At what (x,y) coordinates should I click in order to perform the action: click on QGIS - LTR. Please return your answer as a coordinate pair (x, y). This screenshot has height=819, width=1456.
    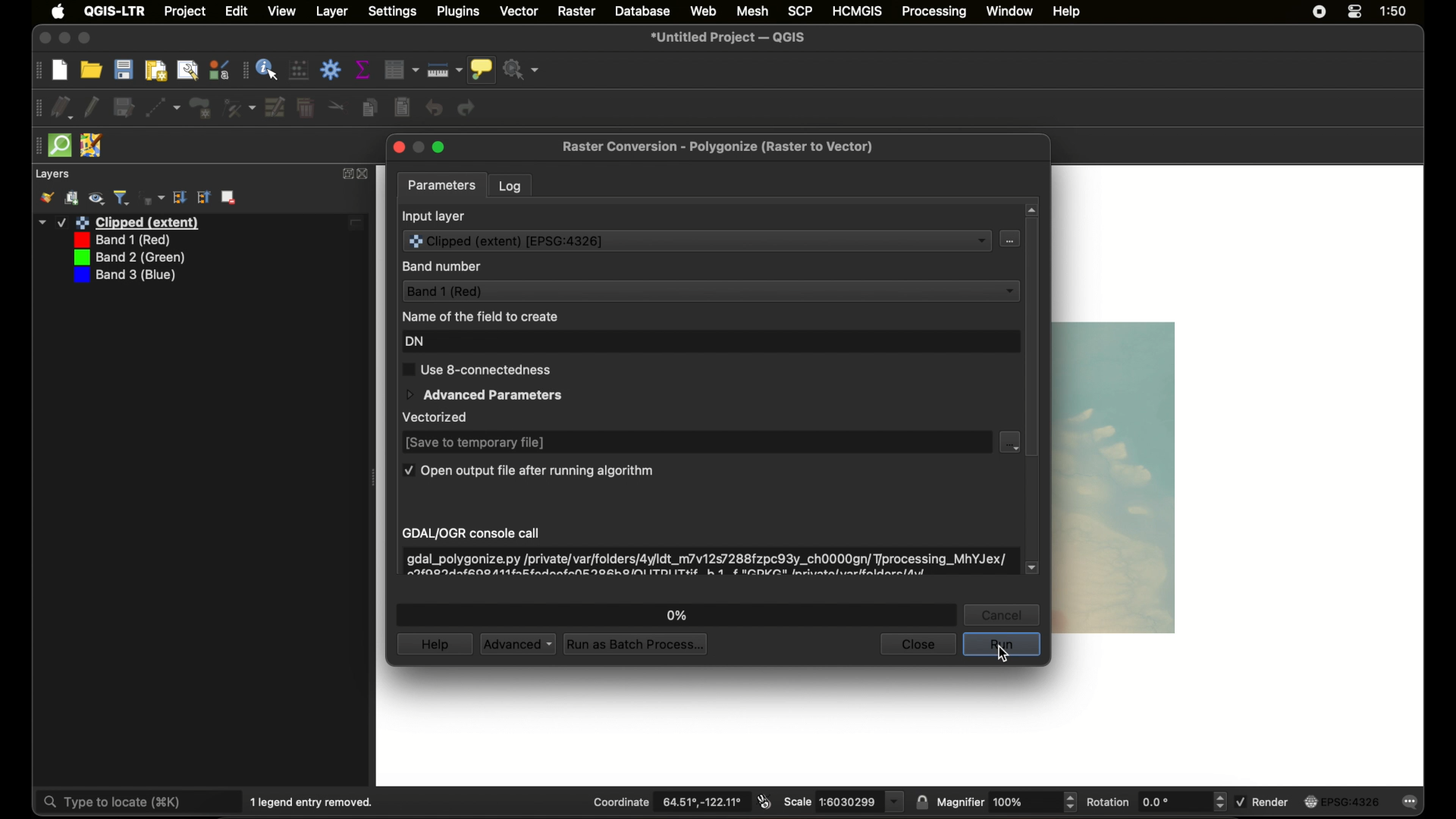
    Looking at the image, I should click on (115, 11).